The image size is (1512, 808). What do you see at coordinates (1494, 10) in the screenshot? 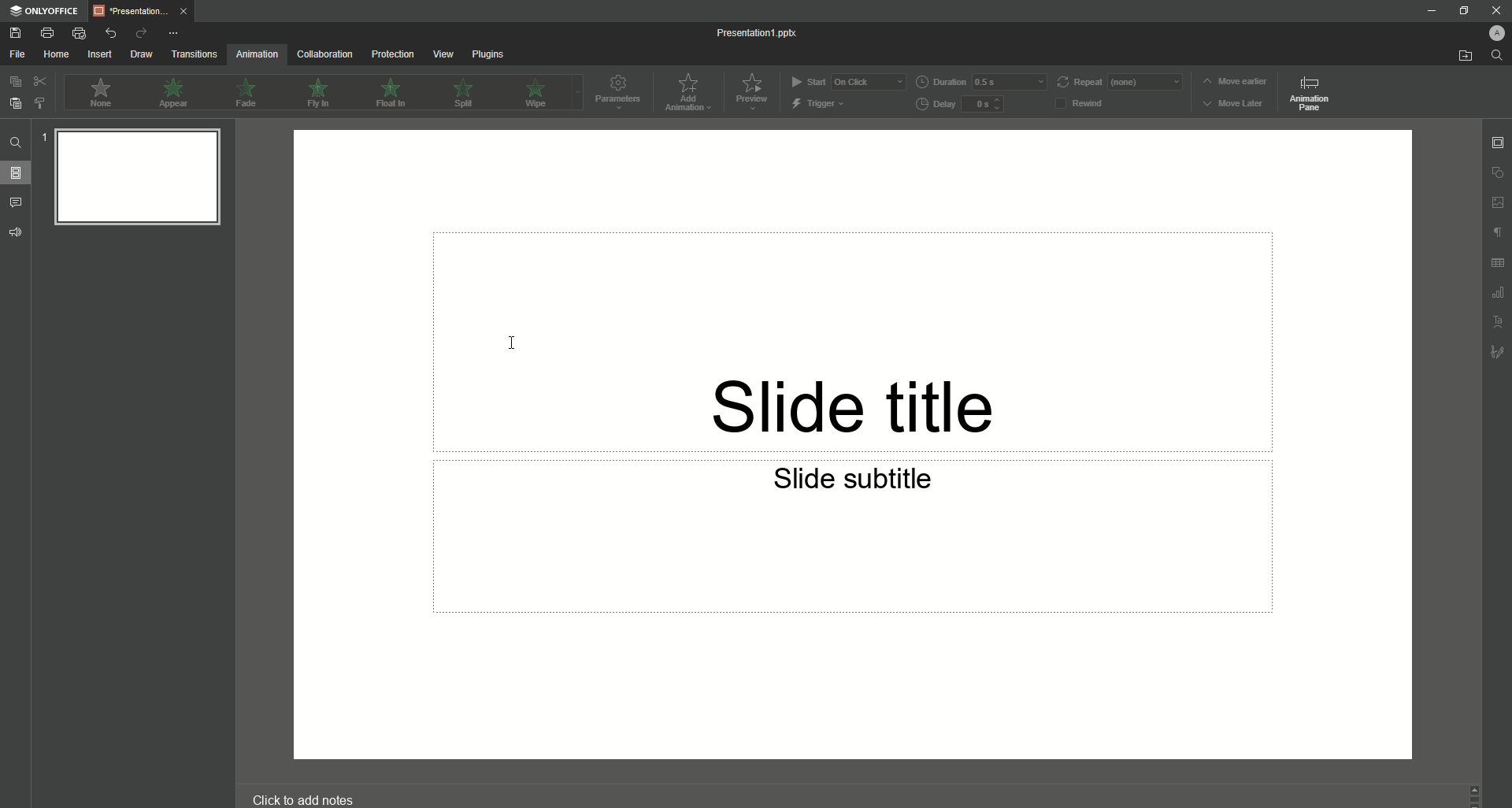
I see `Close` at bounding box center [1494, 10].